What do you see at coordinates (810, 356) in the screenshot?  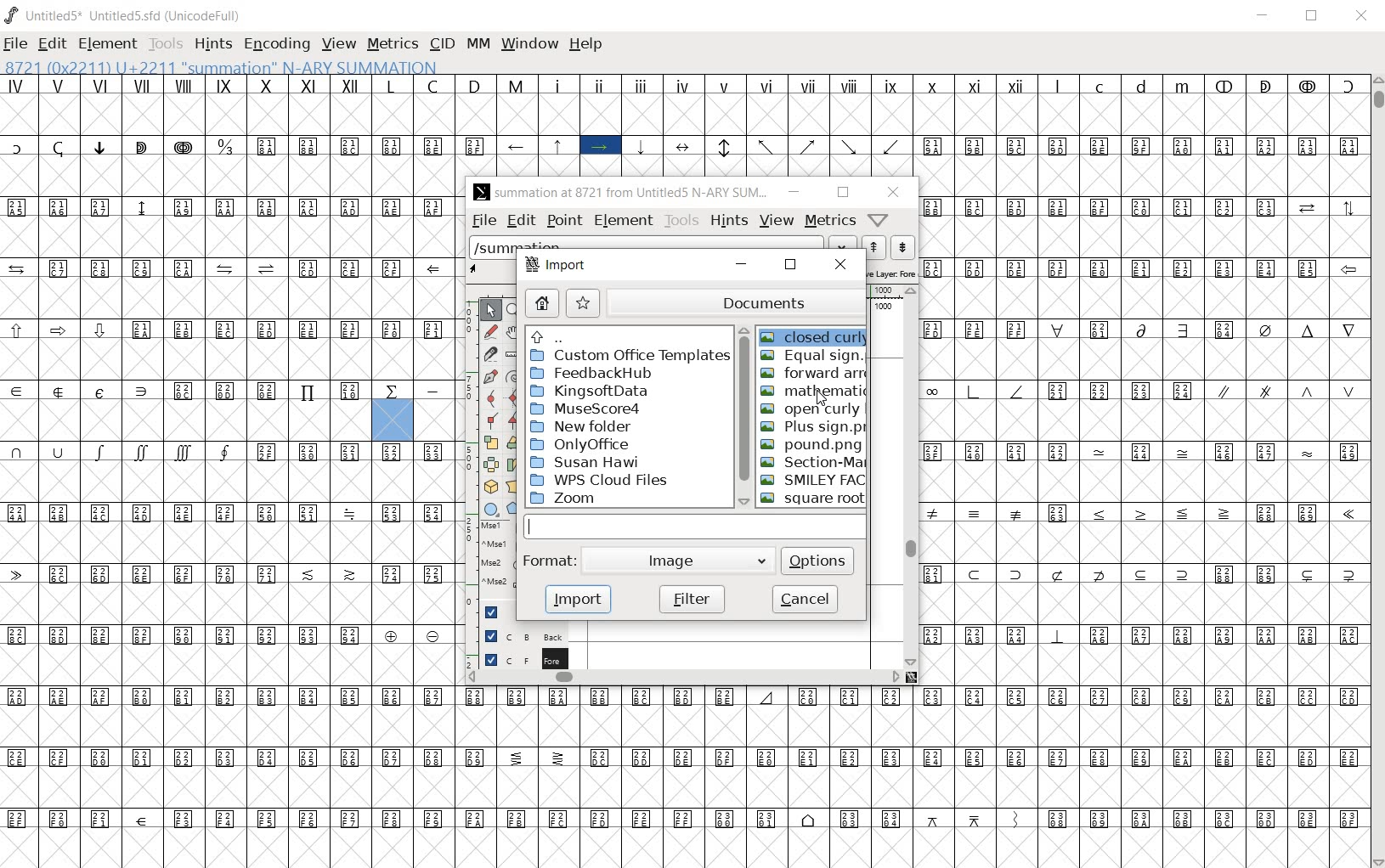 I see `equal sign` at bounding box center [810, 356].